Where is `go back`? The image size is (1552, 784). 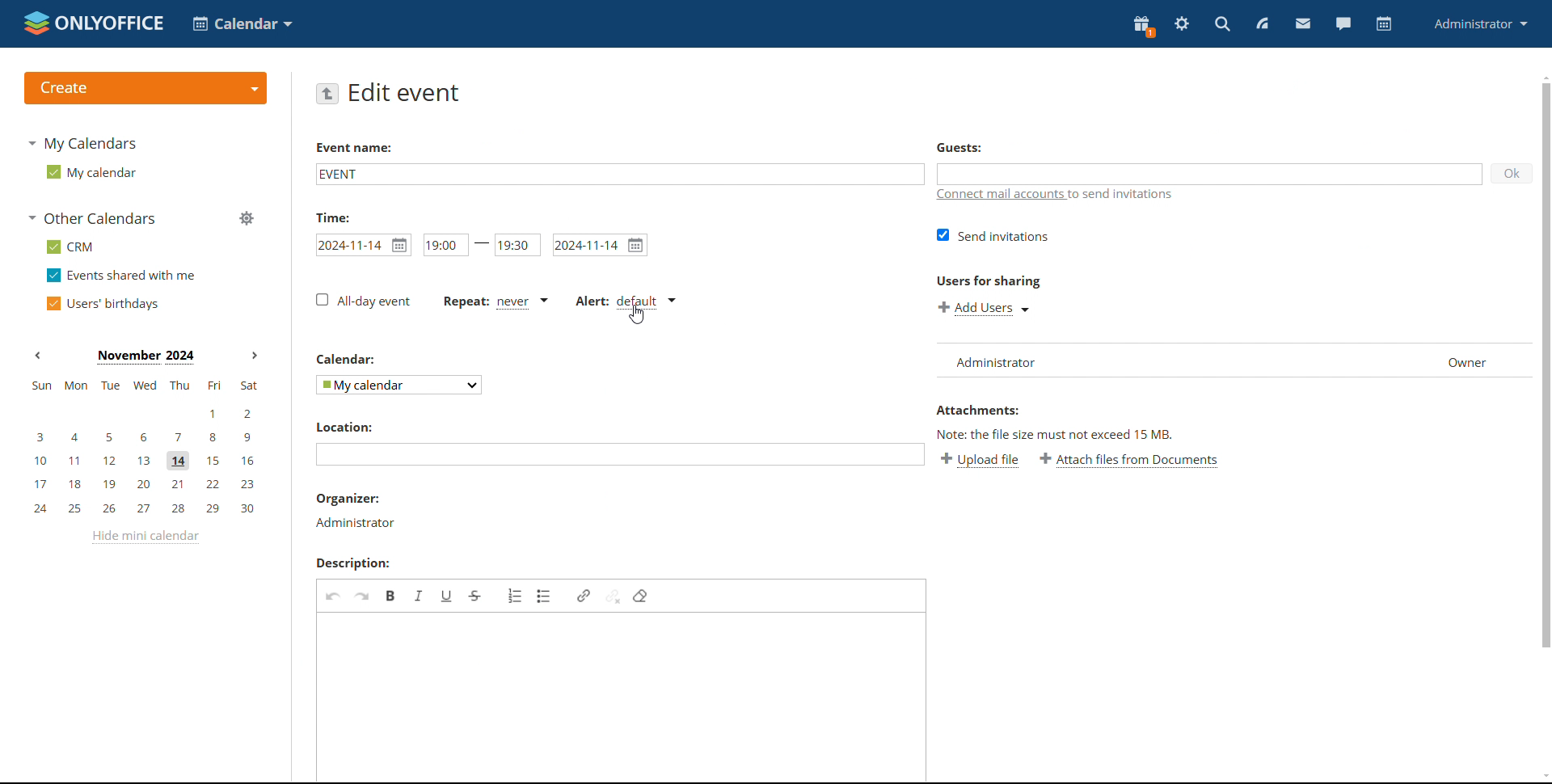
go back is located at coordinates (328, 93).